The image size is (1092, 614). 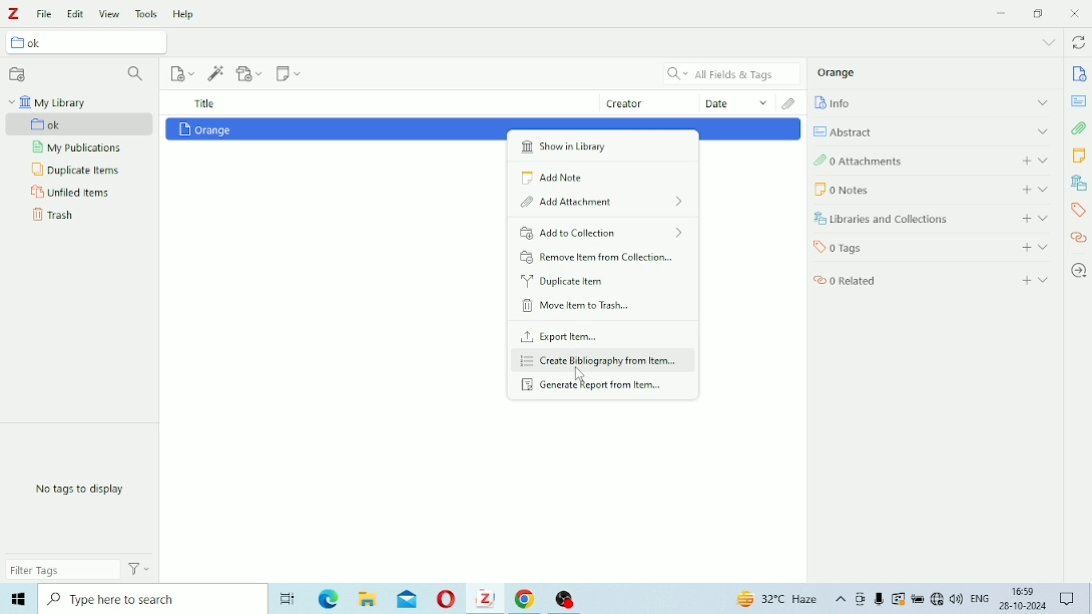 I want to click on New Item, so click(x=184, y=73).